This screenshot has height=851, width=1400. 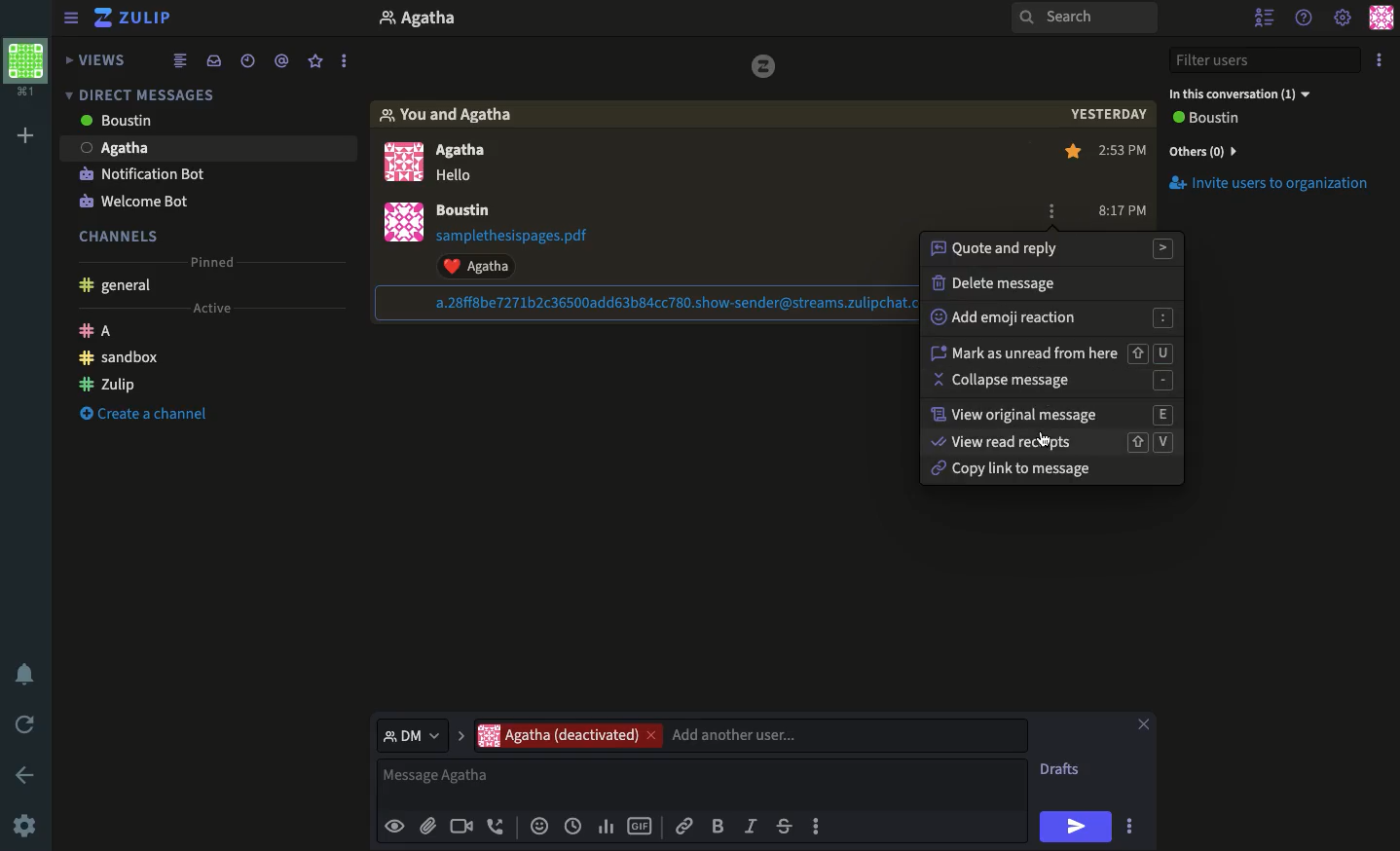 What do you see at coordinates (316, 62) in the screenshot?
I see `Favorite` at bounding box center [316, 62].